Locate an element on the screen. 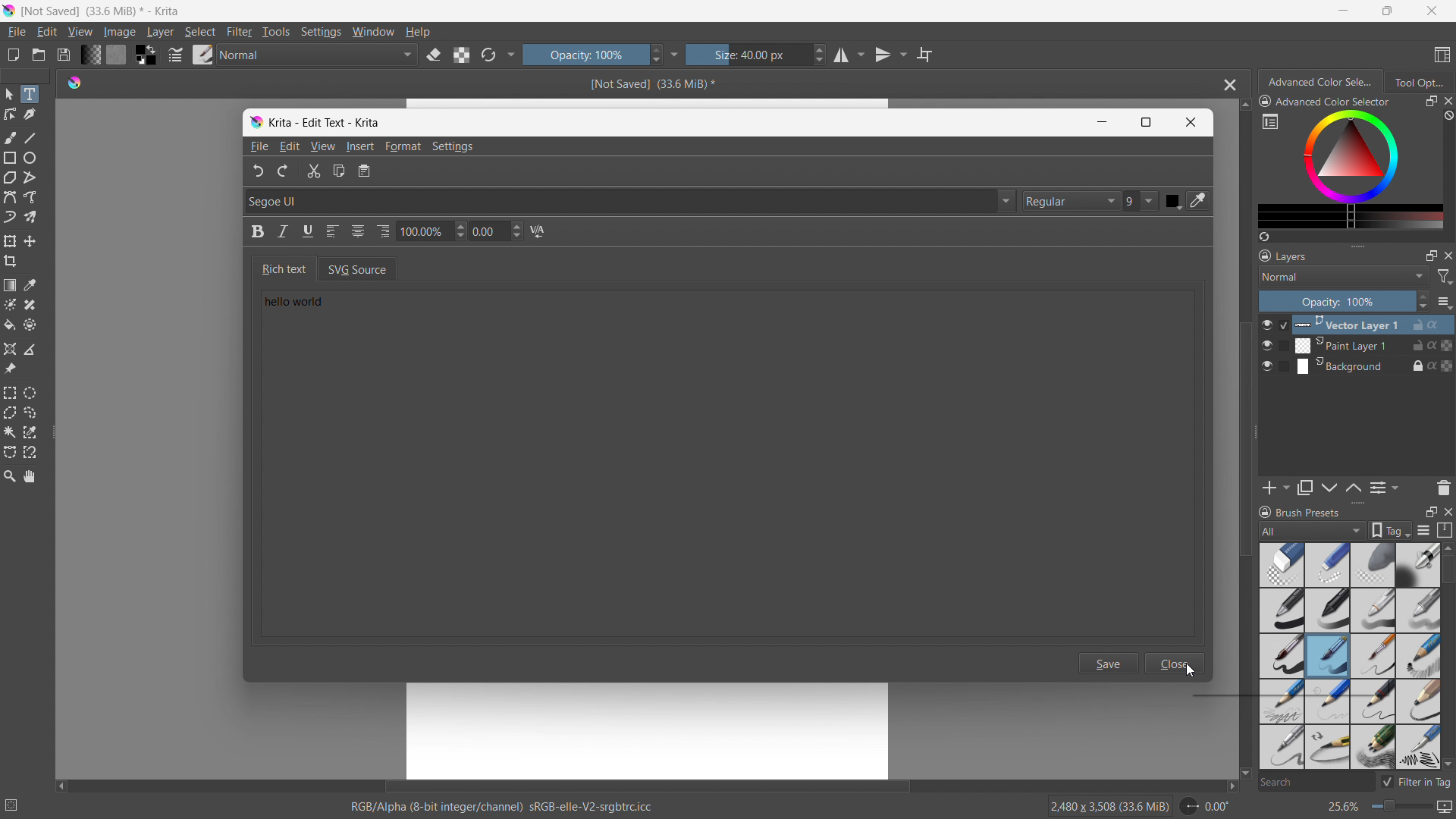 Image resolution: width=1456 pixels, height=819 pixels. same color selection tool is located at coordinates (30, 432).